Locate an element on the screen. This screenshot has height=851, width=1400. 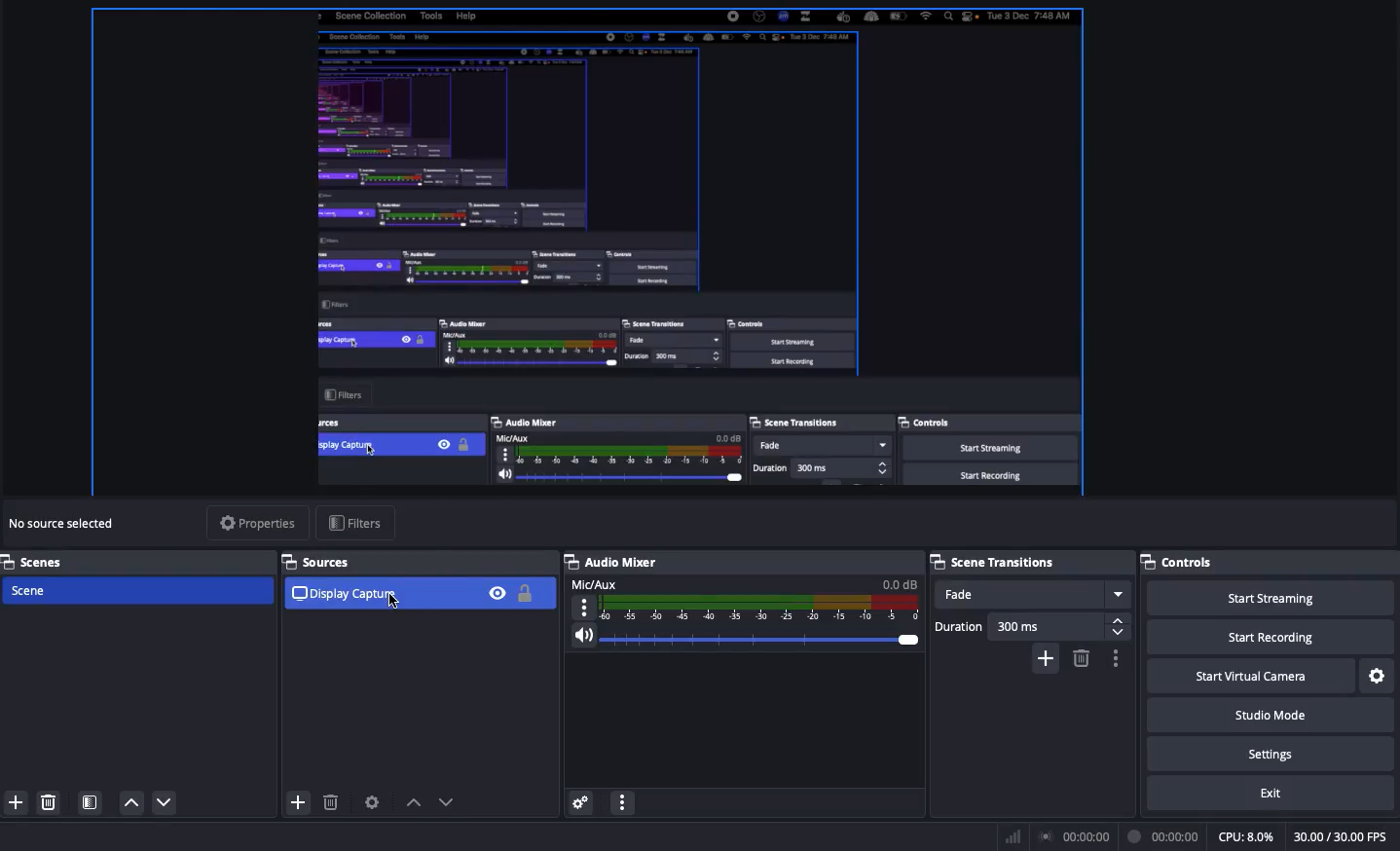
Filters is located at coordinates (358, 521).